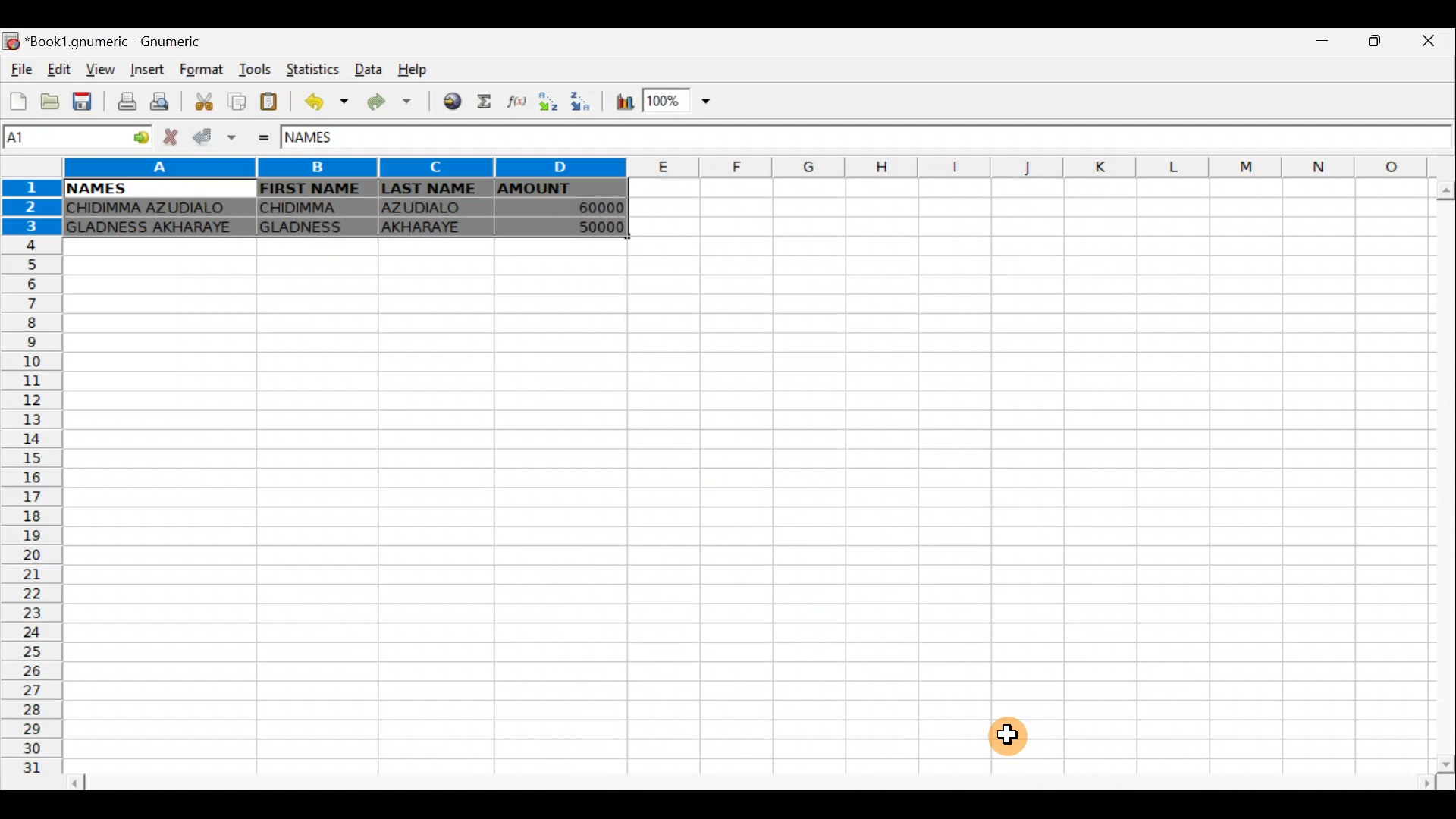  I want to click on Print preview, so click(163, 100).